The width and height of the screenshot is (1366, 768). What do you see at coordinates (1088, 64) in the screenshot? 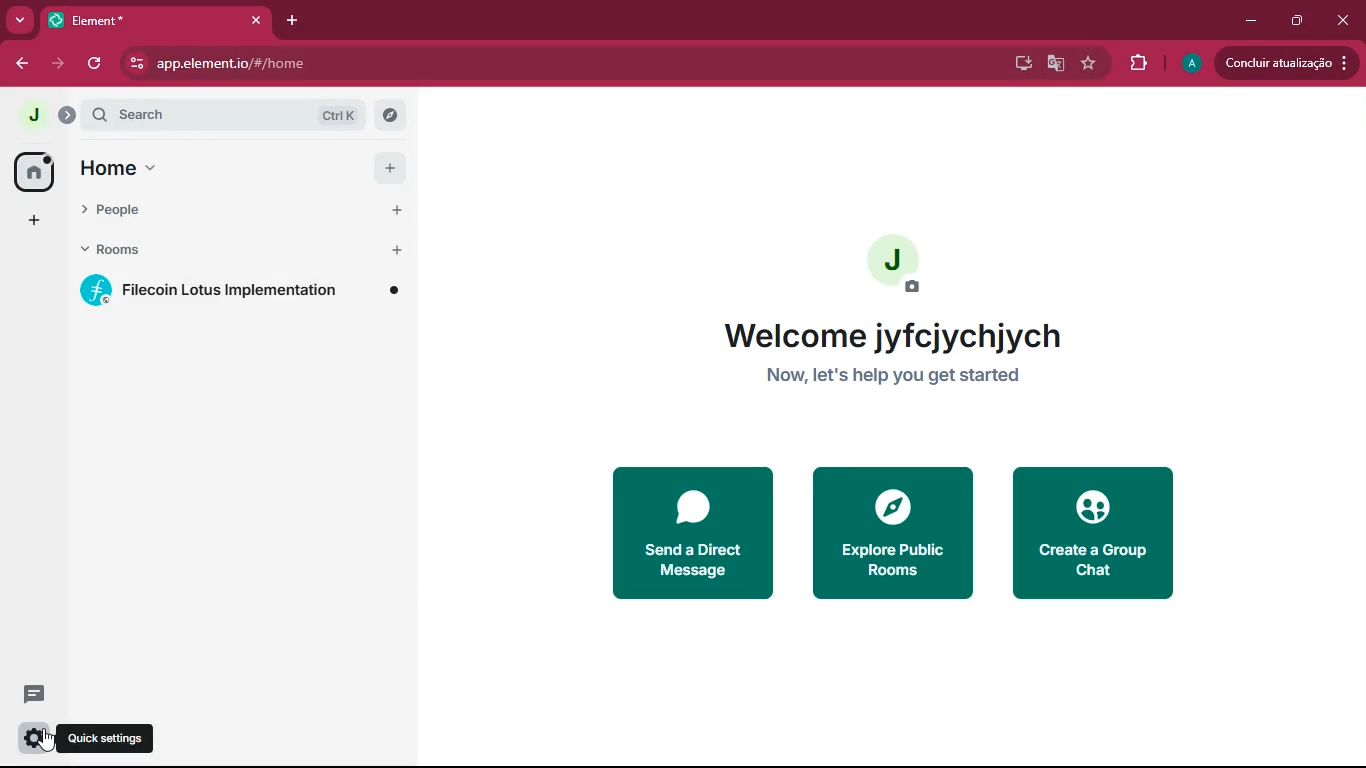
I see `favourite ` at bounding box center [1088, 64].